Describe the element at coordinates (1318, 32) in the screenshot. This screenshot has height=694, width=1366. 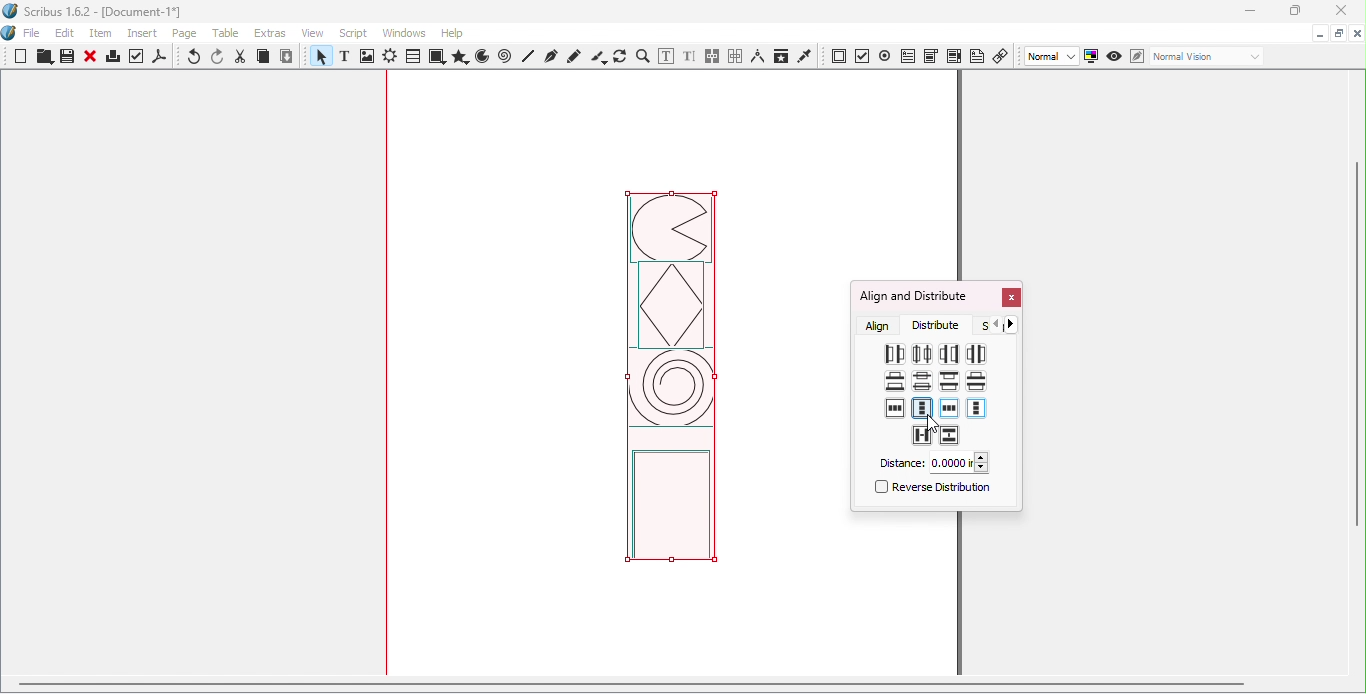
I see `Minimize` at that location.